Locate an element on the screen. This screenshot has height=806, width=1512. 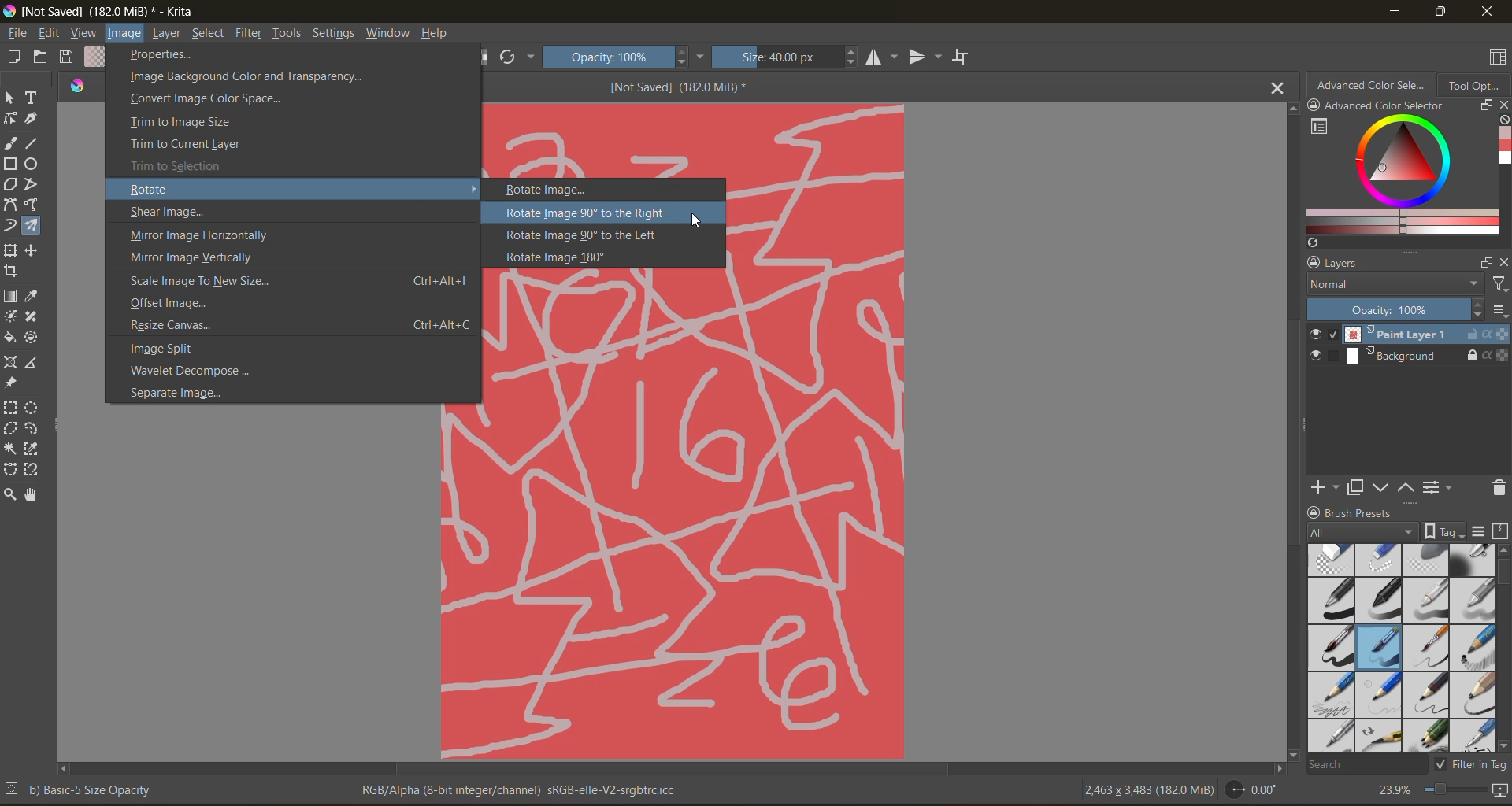
brush presets is located at coordinates (1403, 648).